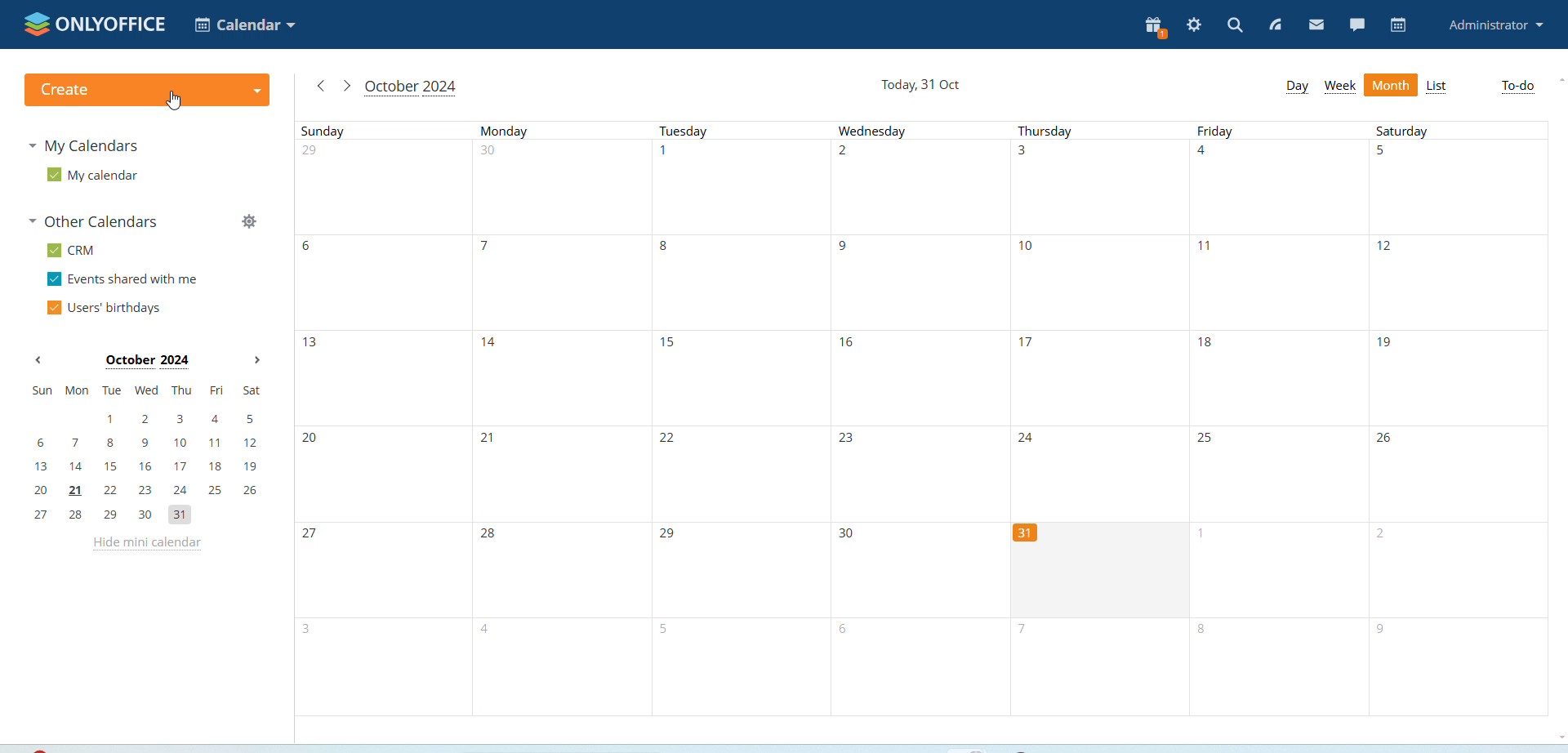 This screenshot has height=753, width=1568. What do you see at coordinates (1100, 670) in the screenshot?
I see `Thursday 7th november` at bounding box center [1100, 670].